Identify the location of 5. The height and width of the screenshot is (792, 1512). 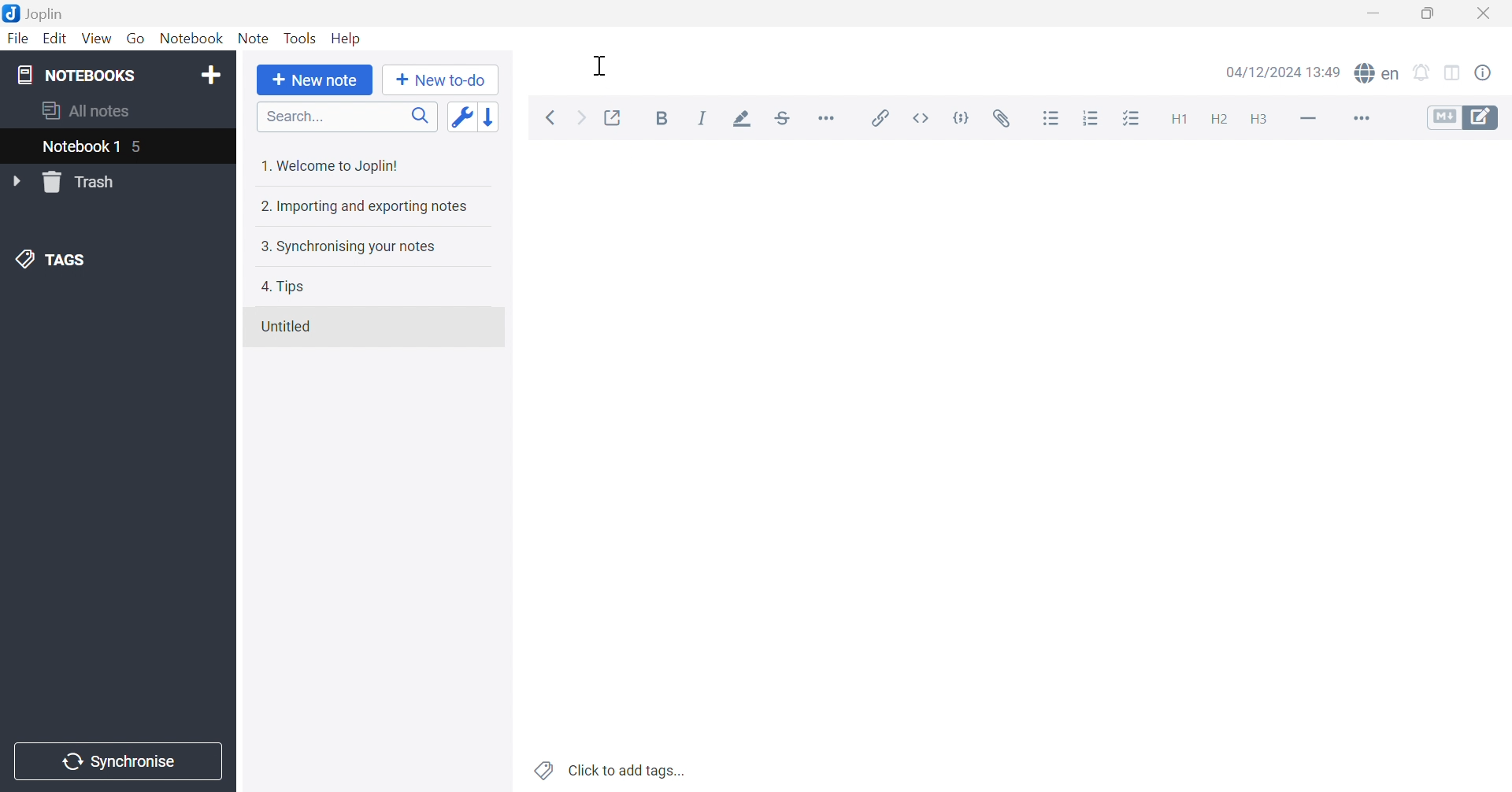
(146, 148).